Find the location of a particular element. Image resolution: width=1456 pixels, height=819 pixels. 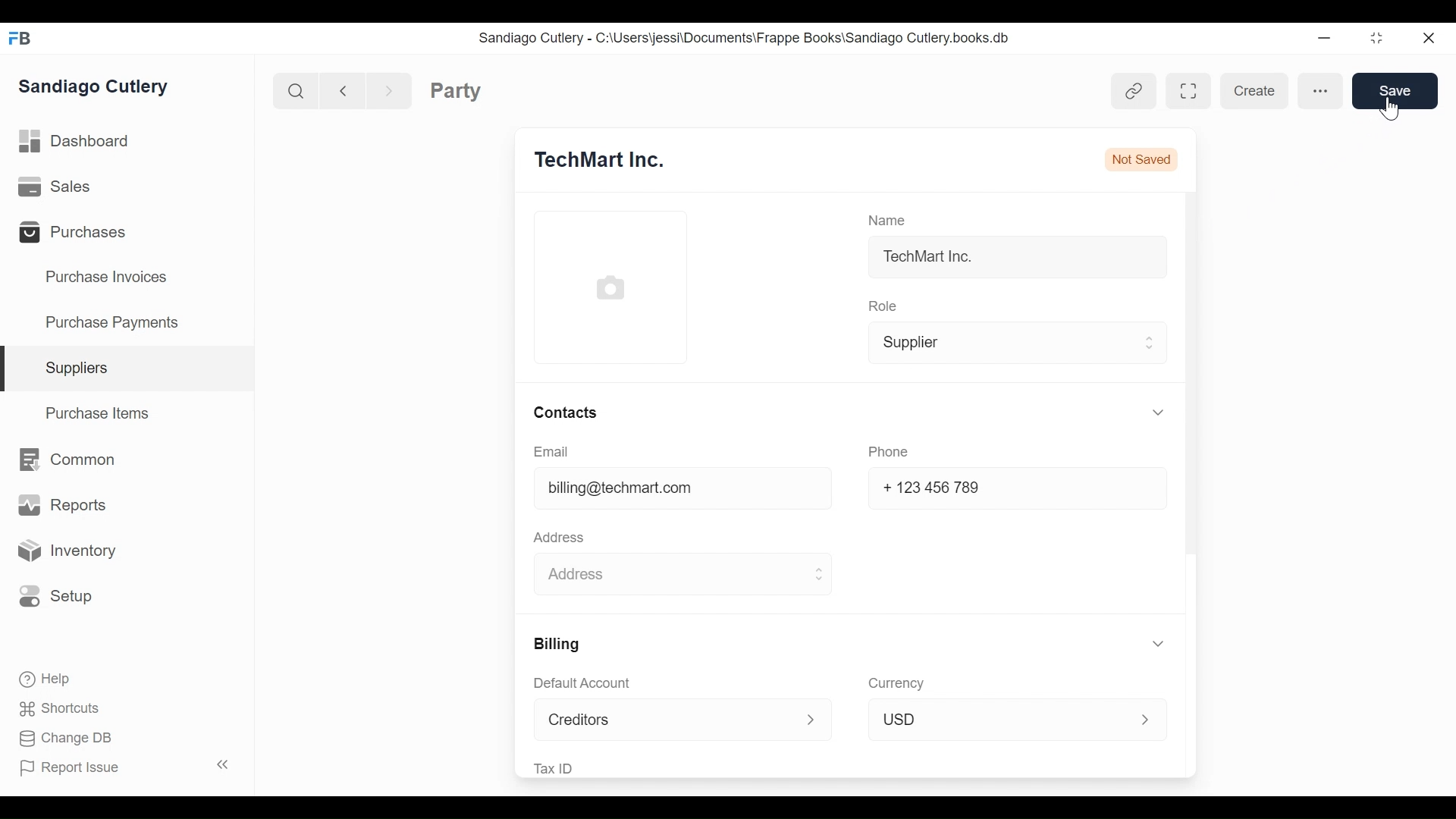

+123 456 789 is located at coordinates (934, 487).